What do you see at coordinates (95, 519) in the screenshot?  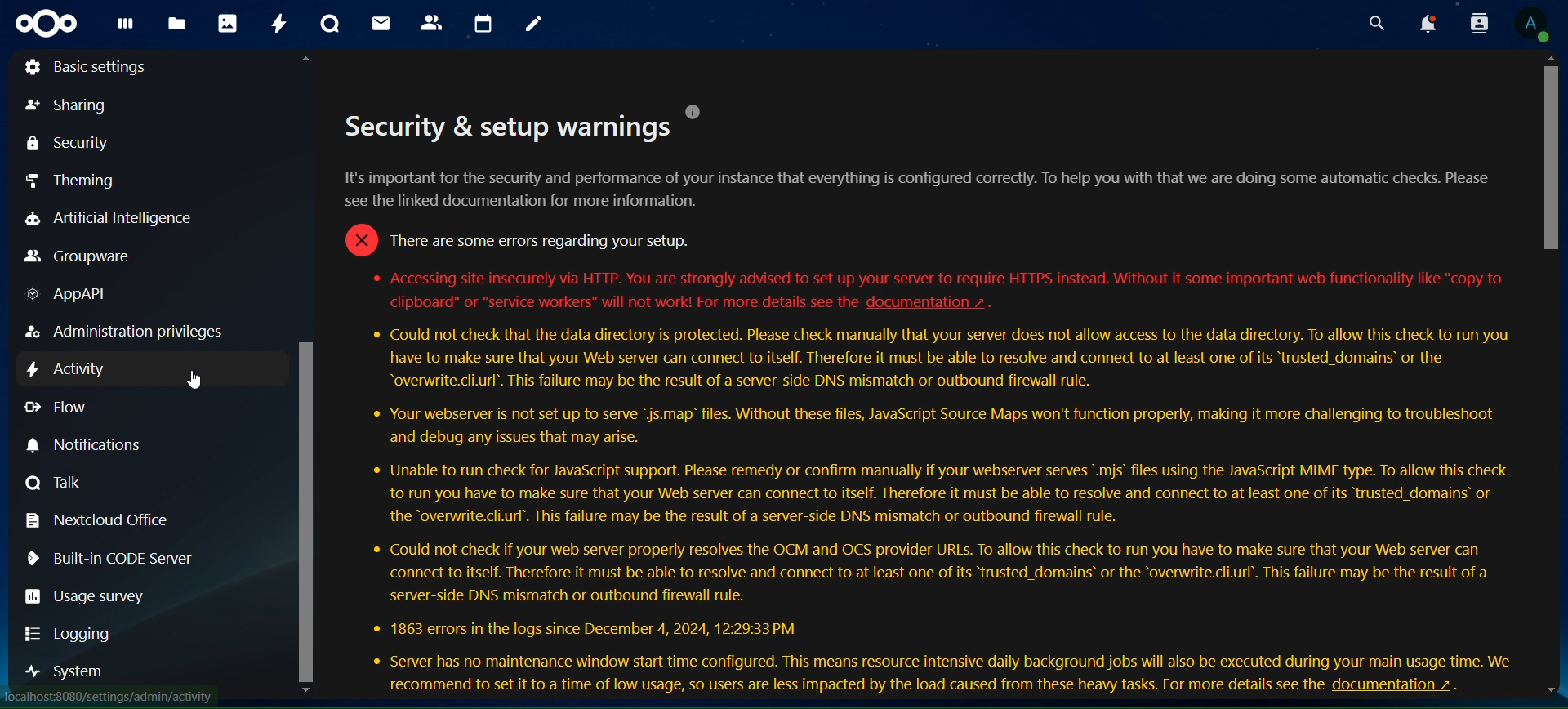 I see `nextcloud office` at bounding box center [95, 519].